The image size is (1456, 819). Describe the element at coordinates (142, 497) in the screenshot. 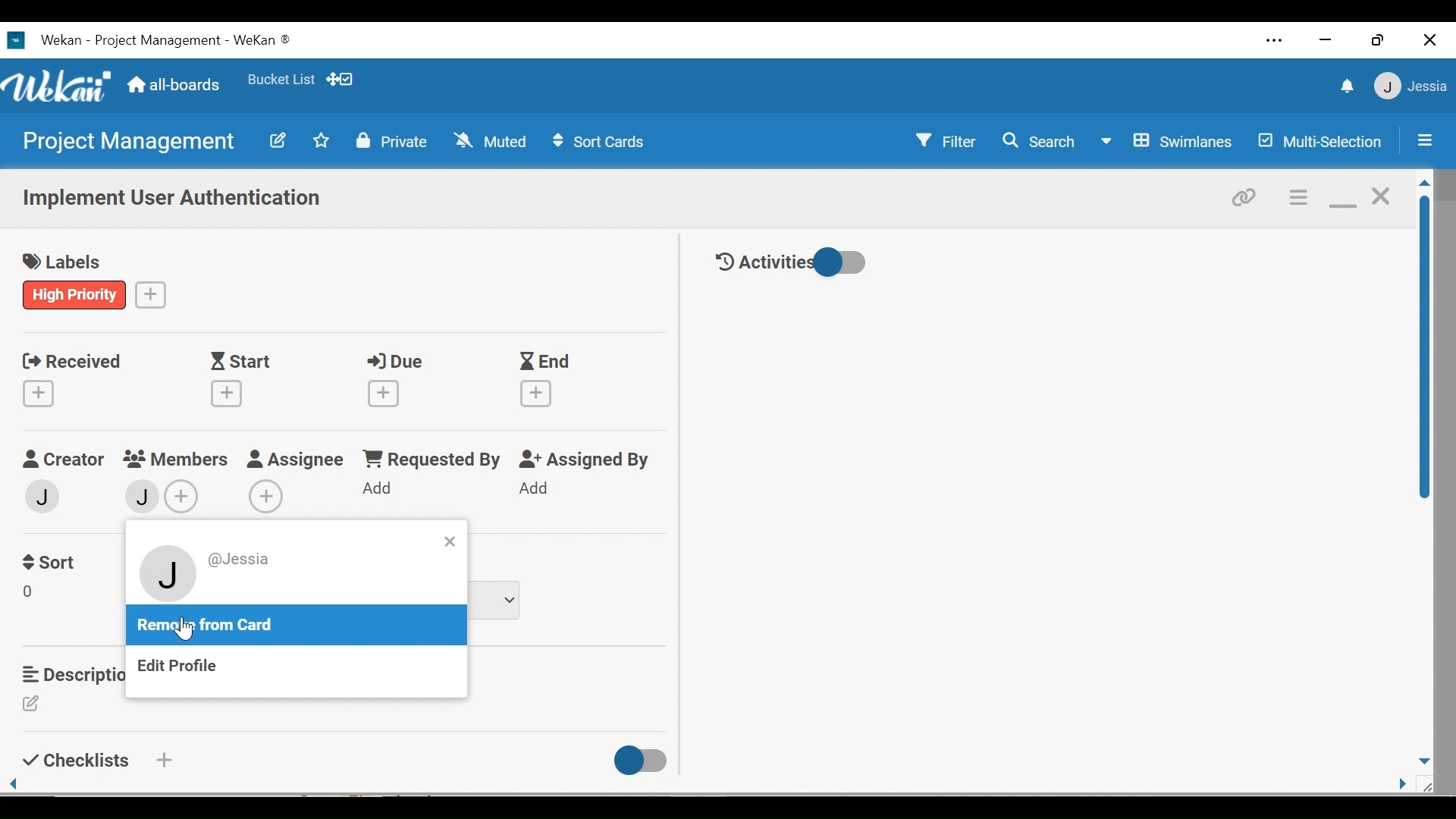

I see `admin` at that location.